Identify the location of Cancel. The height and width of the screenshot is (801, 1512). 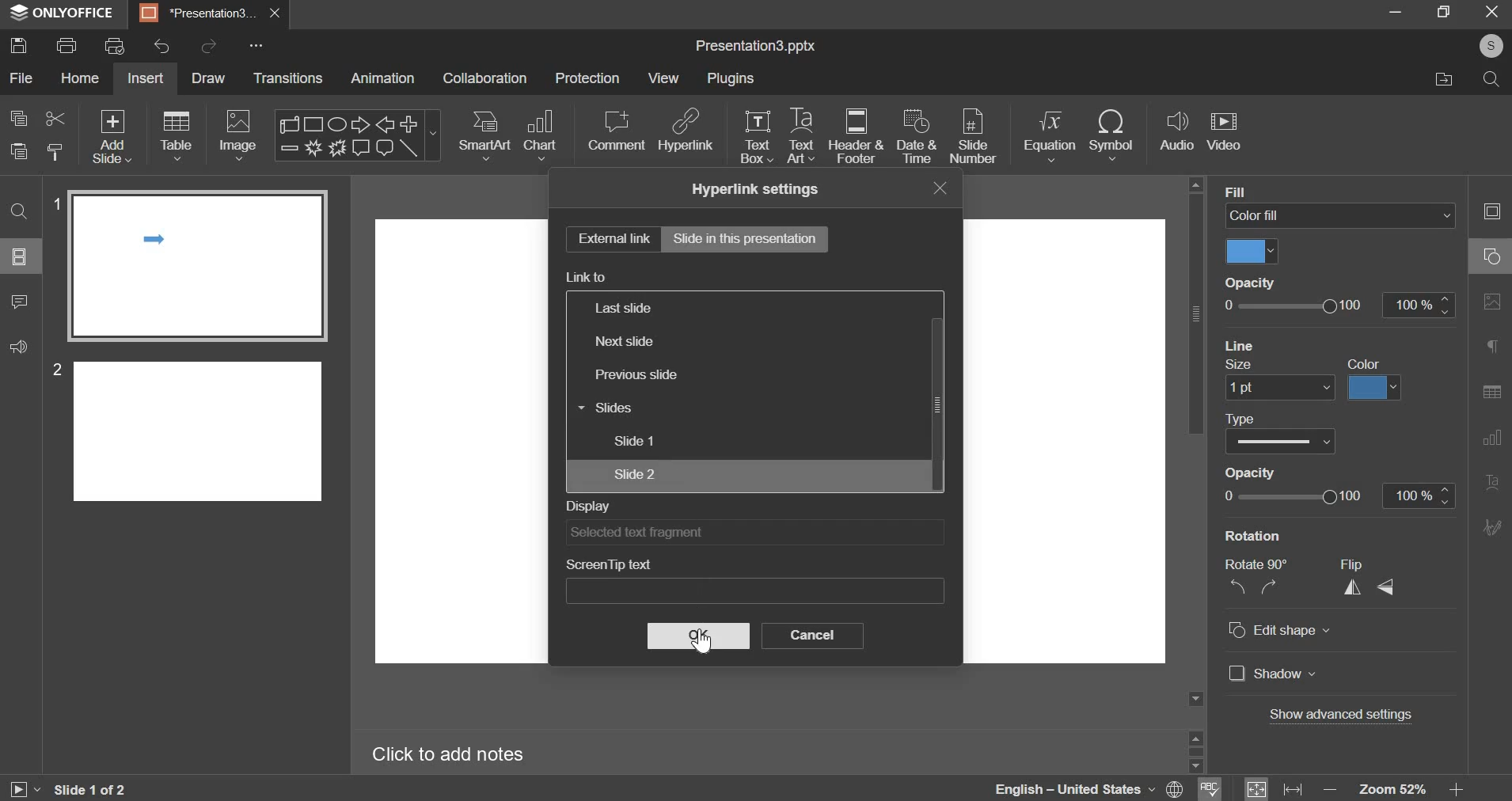
(815, 637).